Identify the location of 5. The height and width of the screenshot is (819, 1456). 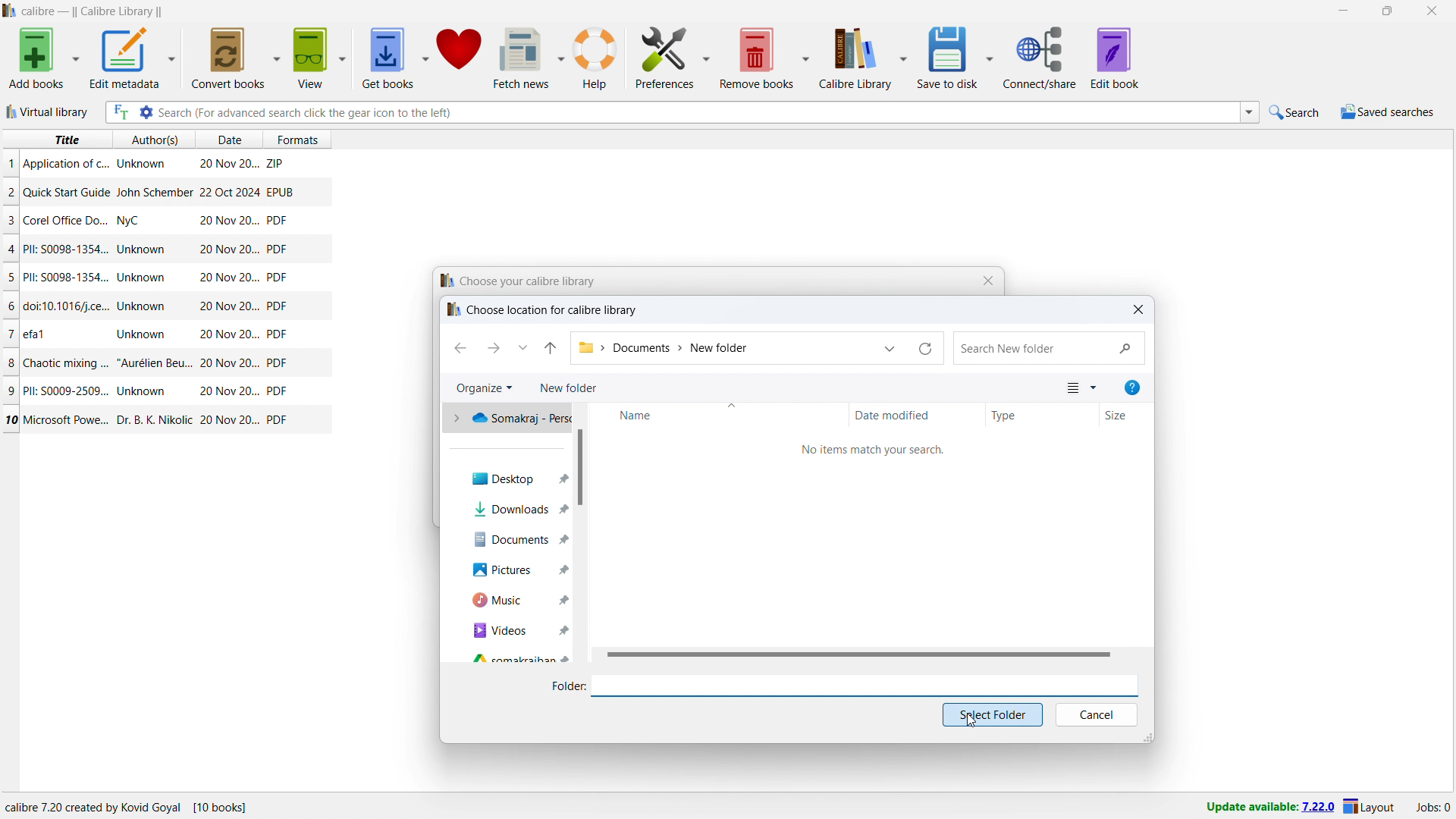
(11, 278).